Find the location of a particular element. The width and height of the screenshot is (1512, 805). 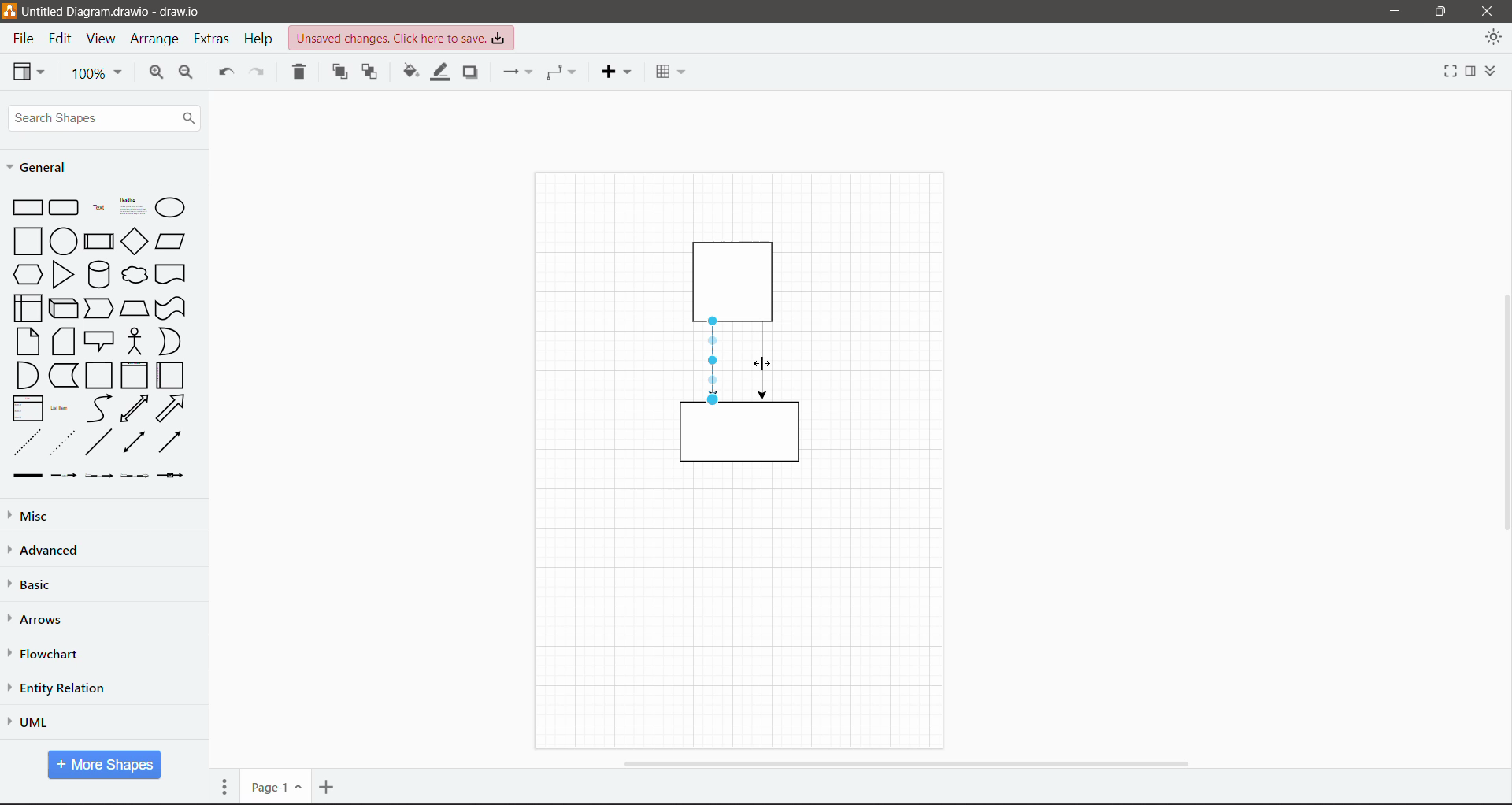

Unsaved Changes. Click here to save is located at coordinates (402, 38).